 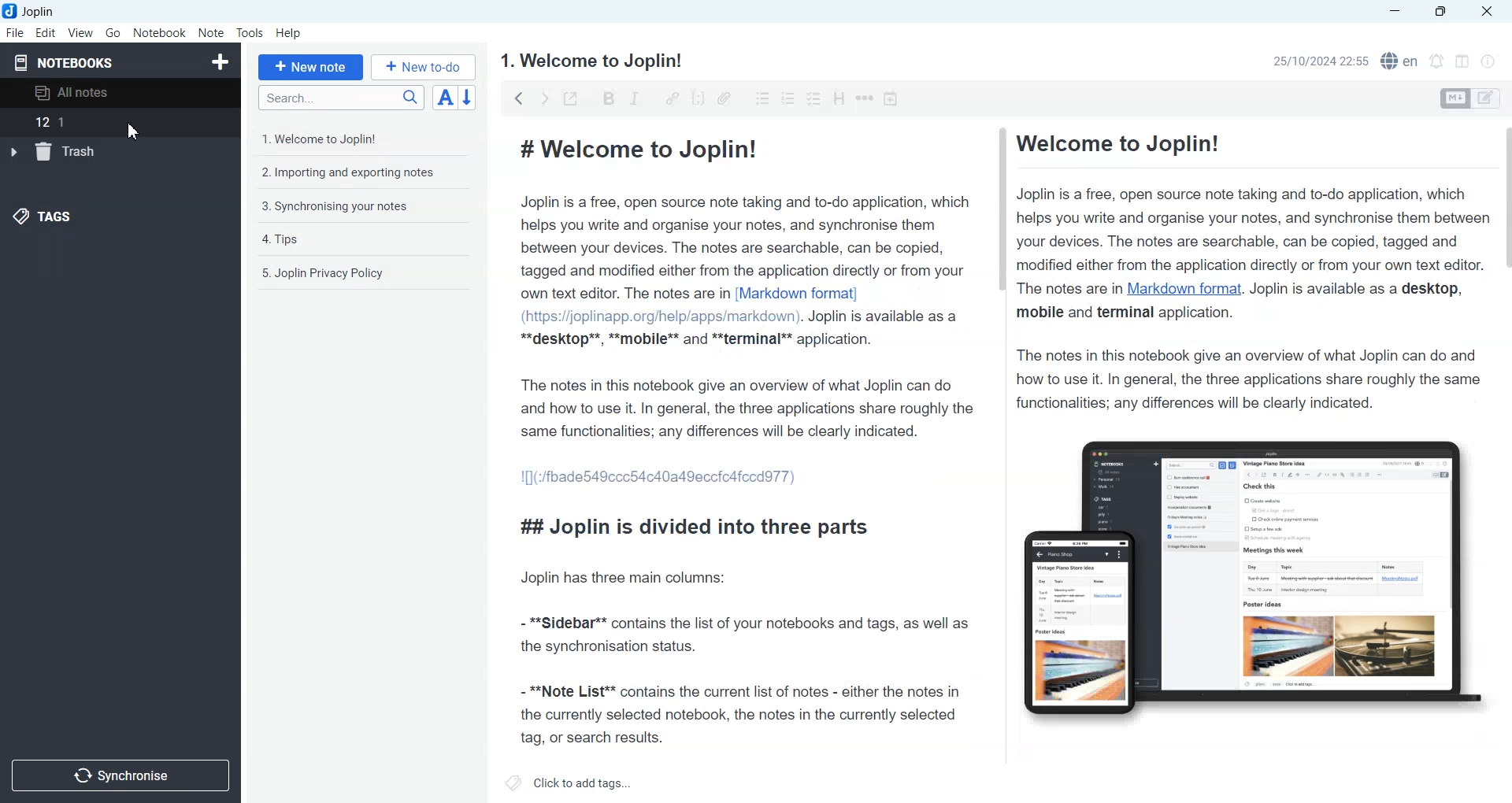 I want to click on Heading, so click(x=840, y=92).